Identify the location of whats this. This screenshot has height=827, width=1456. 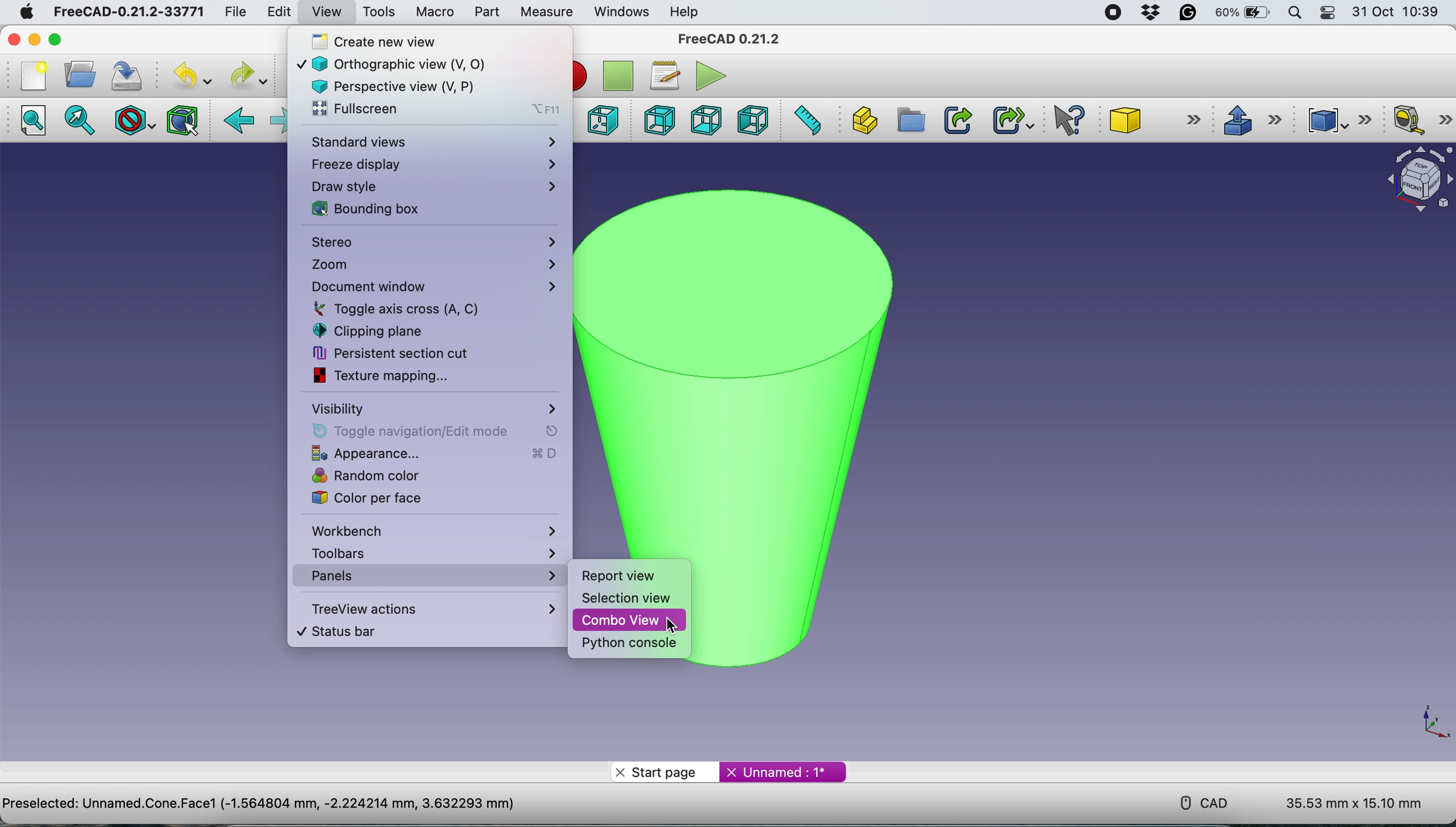
(1063, 121).